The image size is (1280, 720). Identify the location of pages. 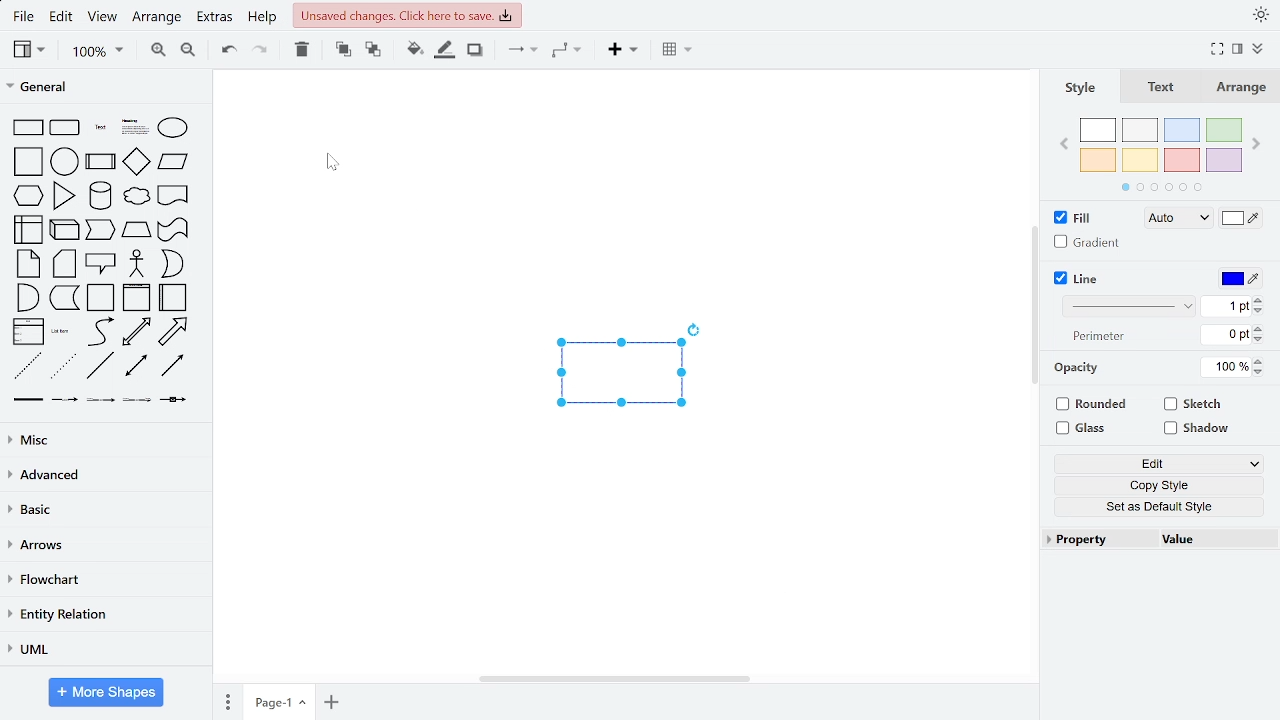
(227, 701).